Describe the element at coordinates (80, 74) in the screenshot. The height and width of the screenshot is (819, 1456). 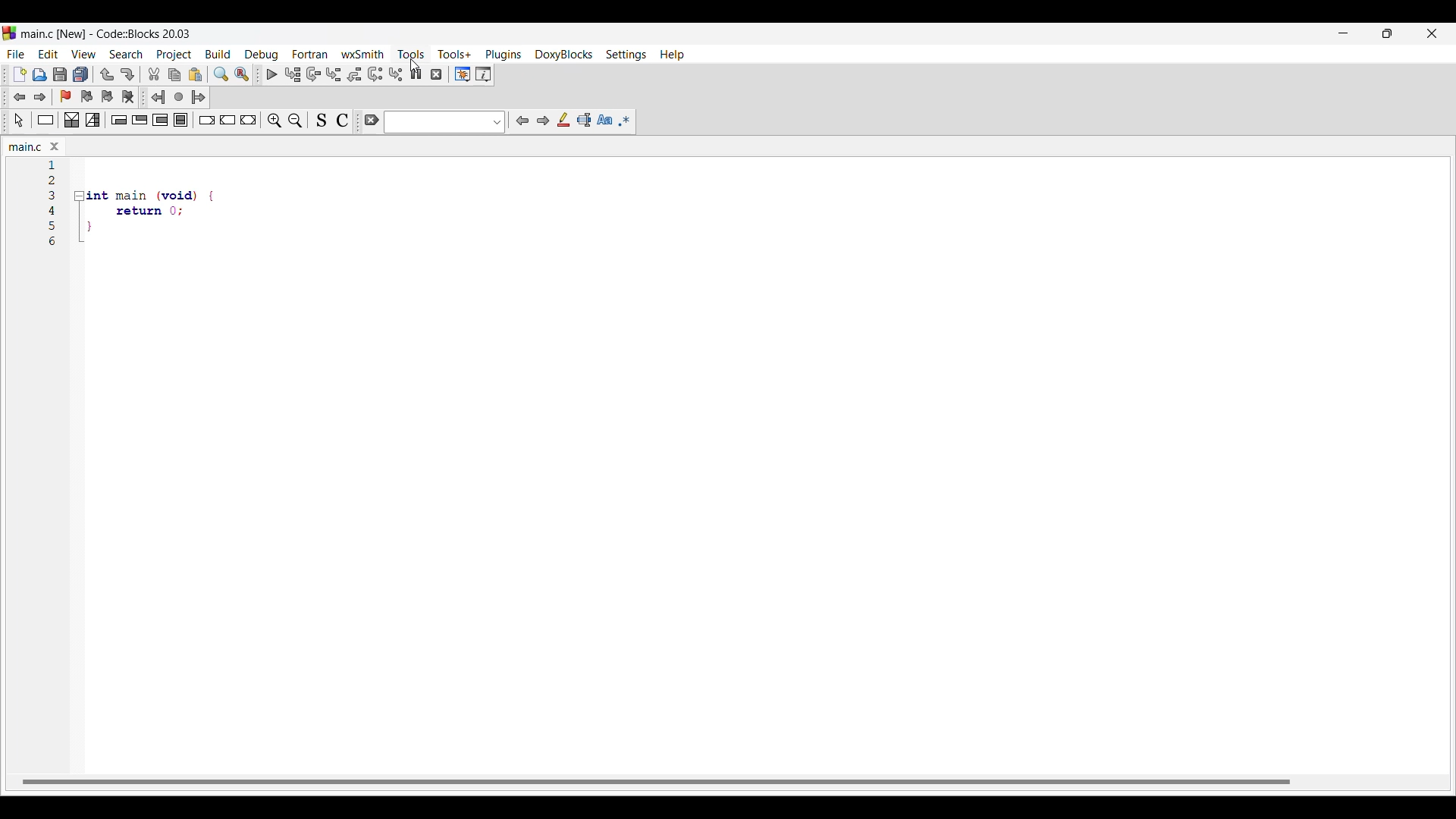
I see `Save everything` at that location.